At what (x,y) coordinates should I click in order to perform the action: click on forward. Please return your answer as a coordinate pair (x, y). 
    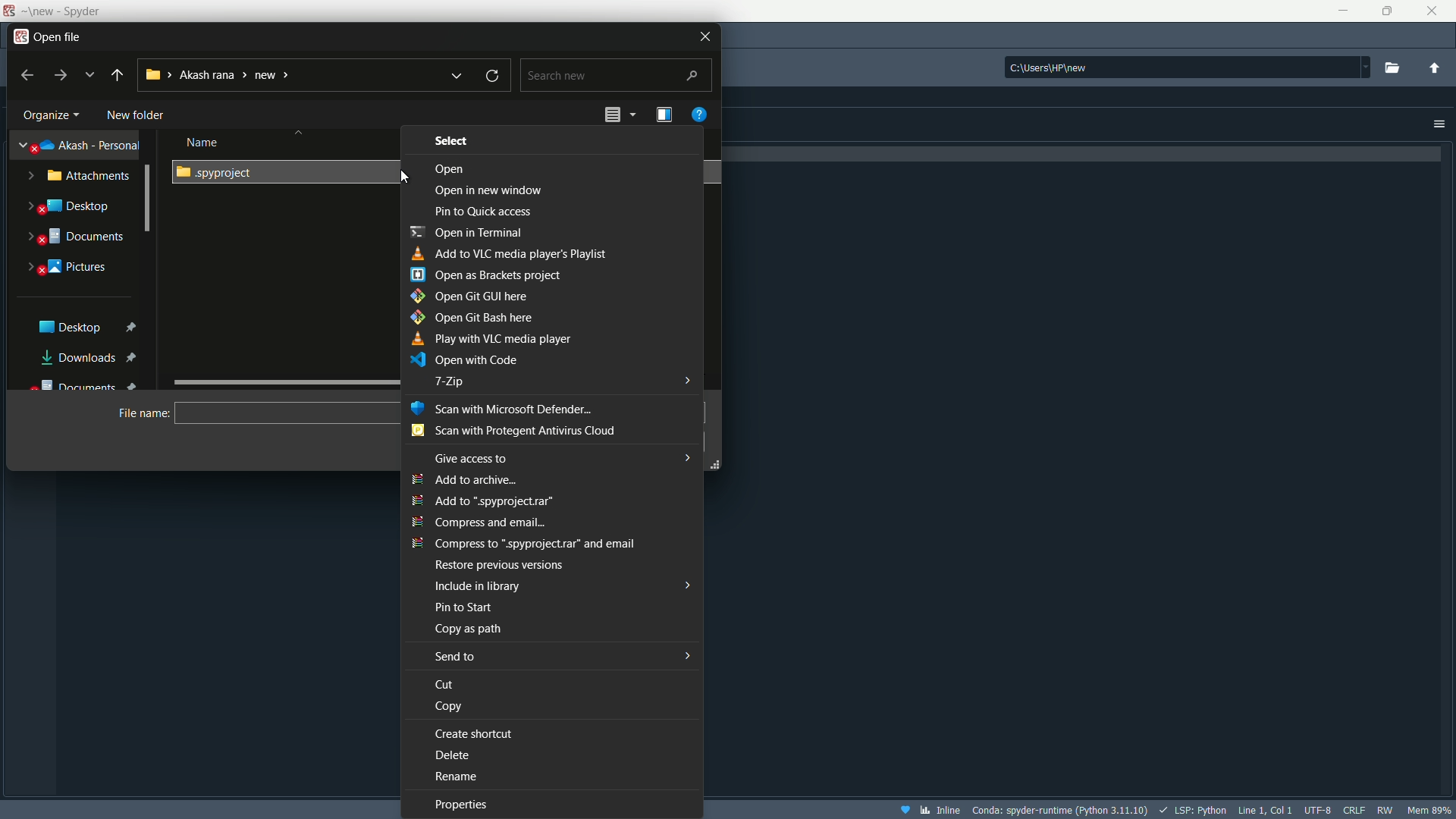
    Looking at the image, I should click on (57, 76).